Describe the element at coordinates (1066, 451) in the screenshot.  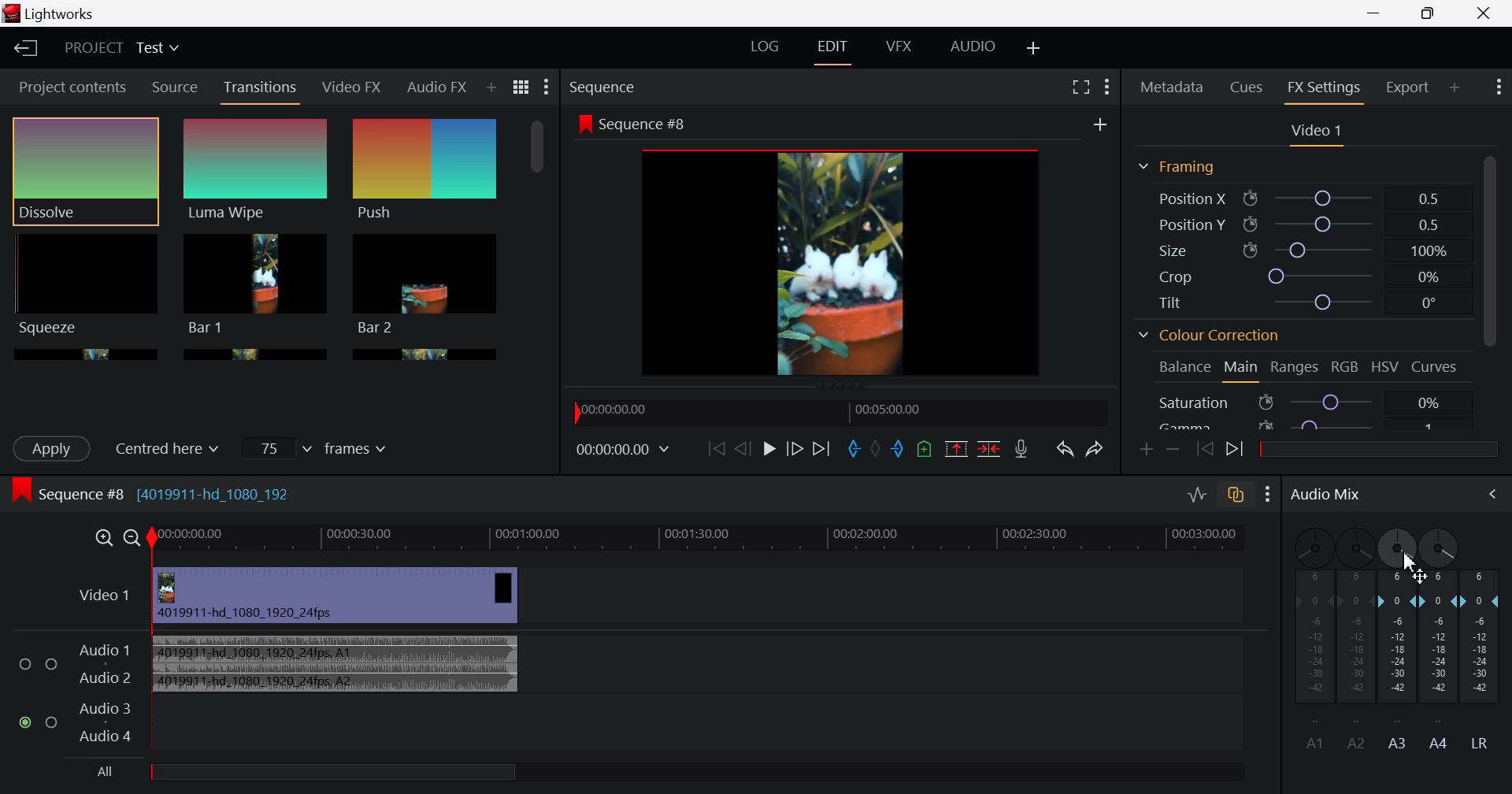
I see `Undo` at that location.